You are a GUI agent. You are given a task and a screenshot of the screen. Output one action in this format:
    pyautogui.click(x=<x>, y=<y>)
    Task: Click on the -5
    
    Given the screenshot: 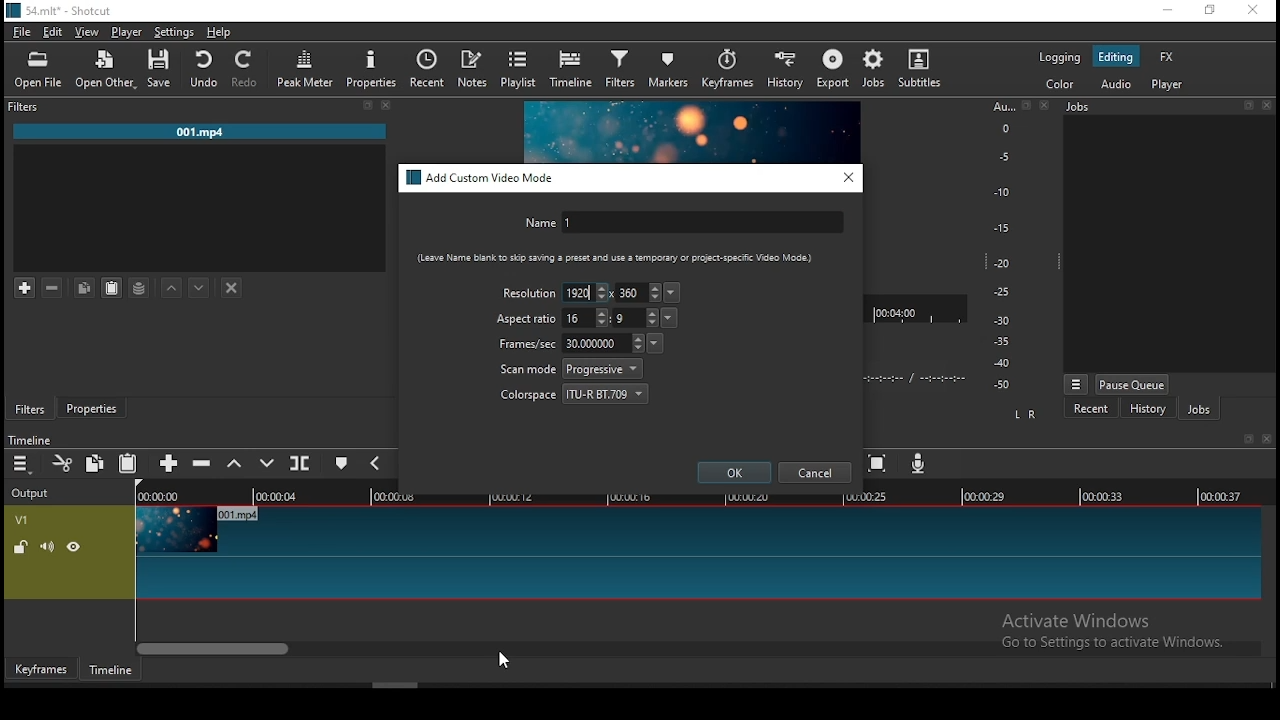 What is the action you would take?
    pyautogui.click(x=1002, y=155)
    